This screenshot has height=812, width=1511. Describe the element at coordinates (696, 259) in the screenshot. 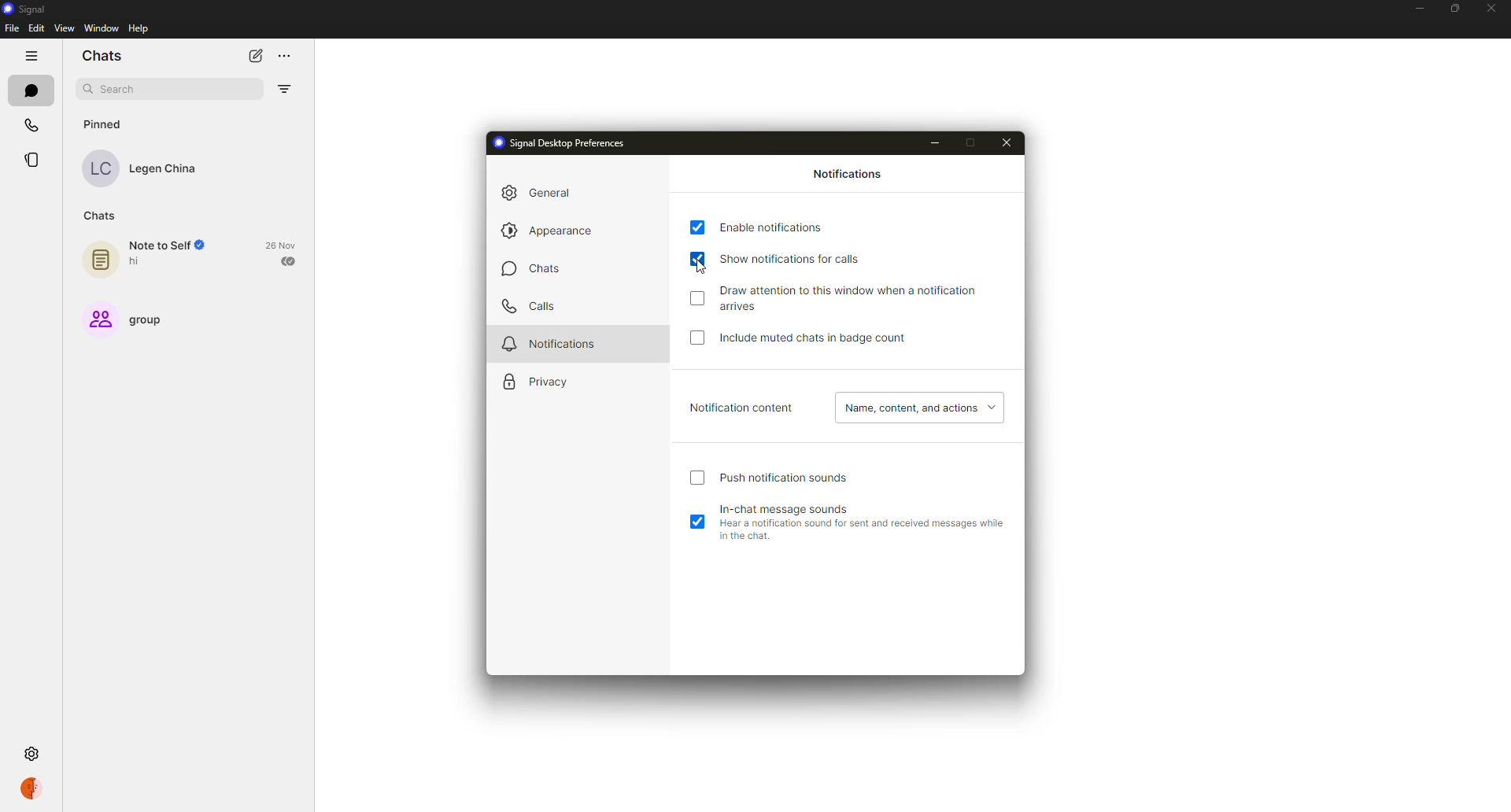

I see `enabled` at that location.